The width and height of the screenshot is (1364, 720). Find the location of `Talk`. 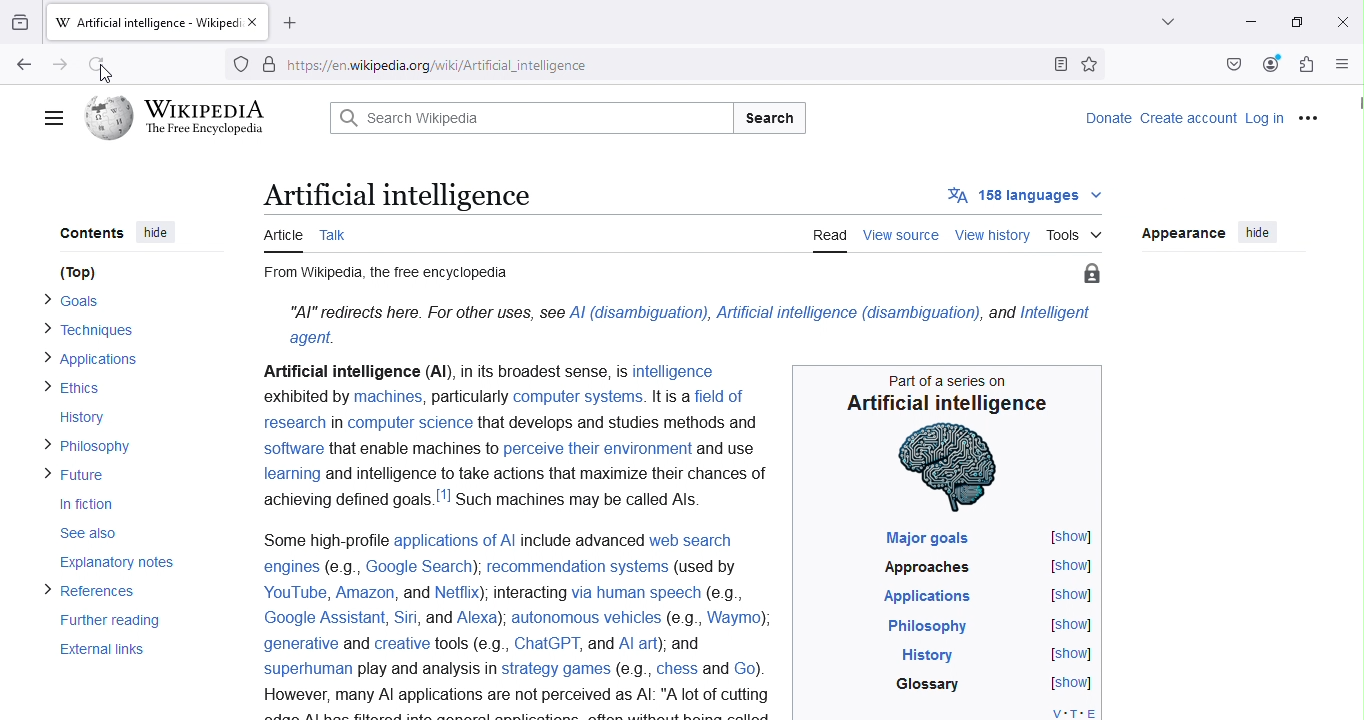

Talk is located at coordinates (336, 239).